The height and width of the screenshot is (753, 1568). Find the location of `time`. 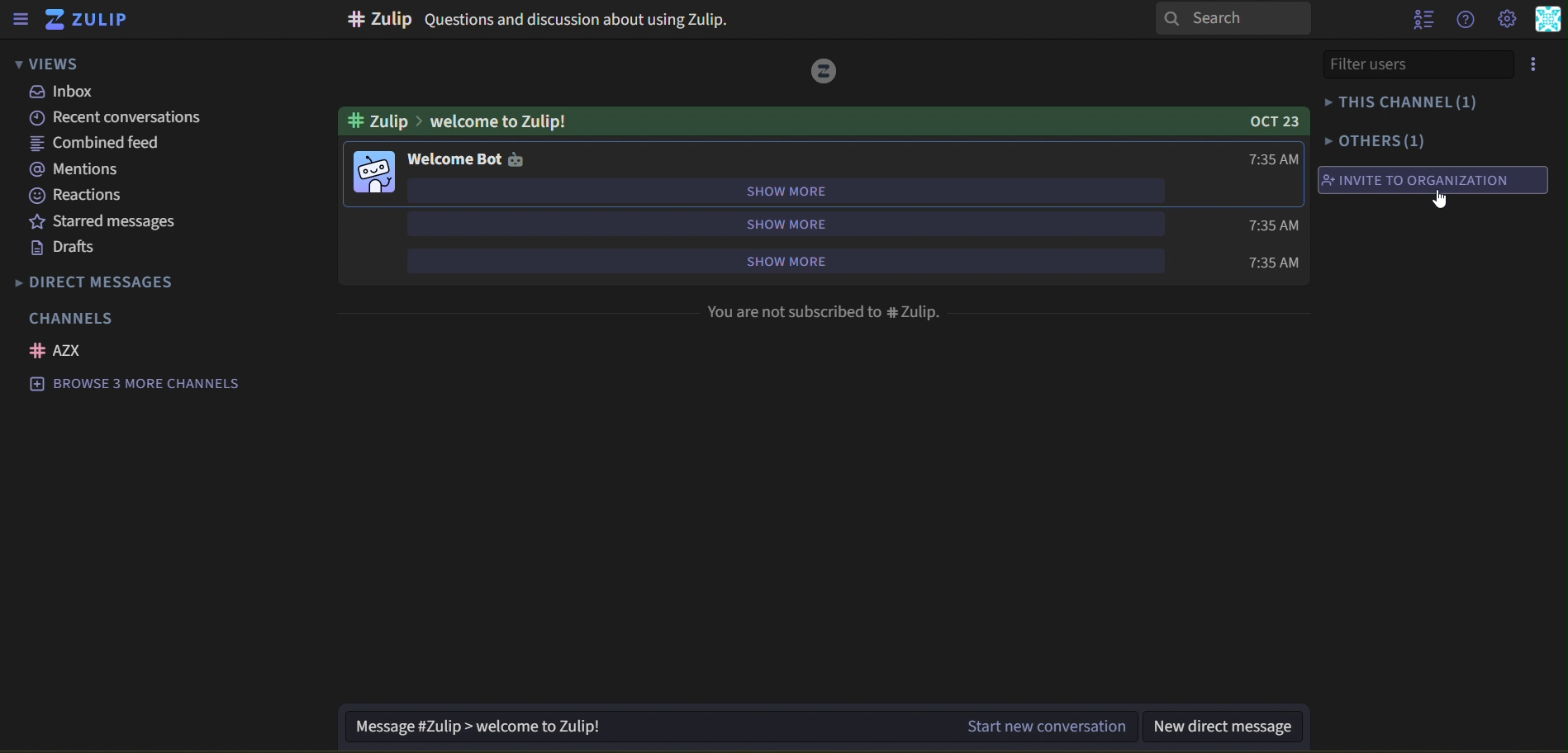

time is located at coordinates (1274, 159).